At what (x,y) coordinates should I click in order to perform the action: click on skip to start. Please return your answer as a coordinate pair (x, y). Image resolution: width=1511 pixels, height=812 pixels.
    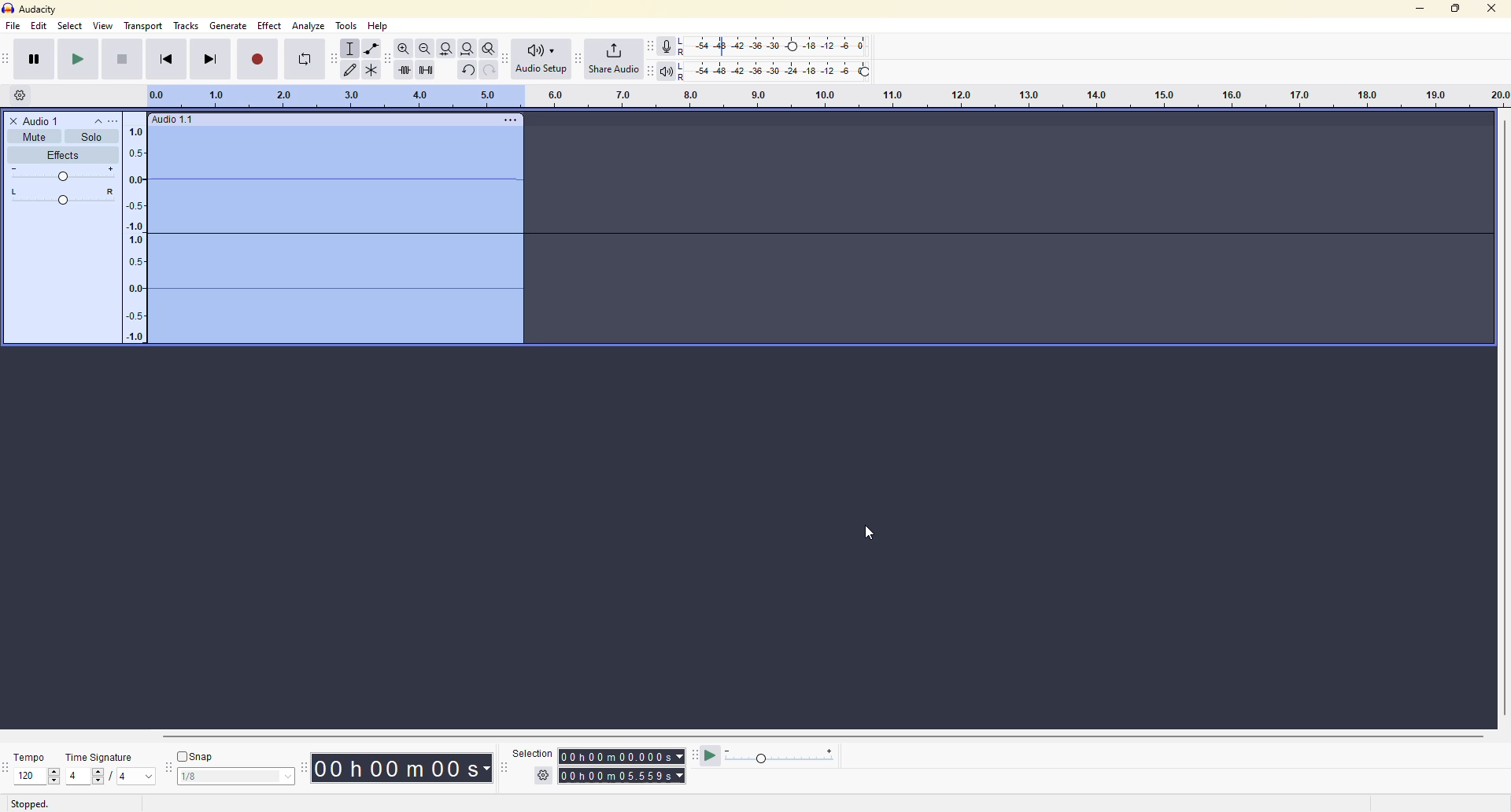
    Looking at the image, I should click on (166, 58).